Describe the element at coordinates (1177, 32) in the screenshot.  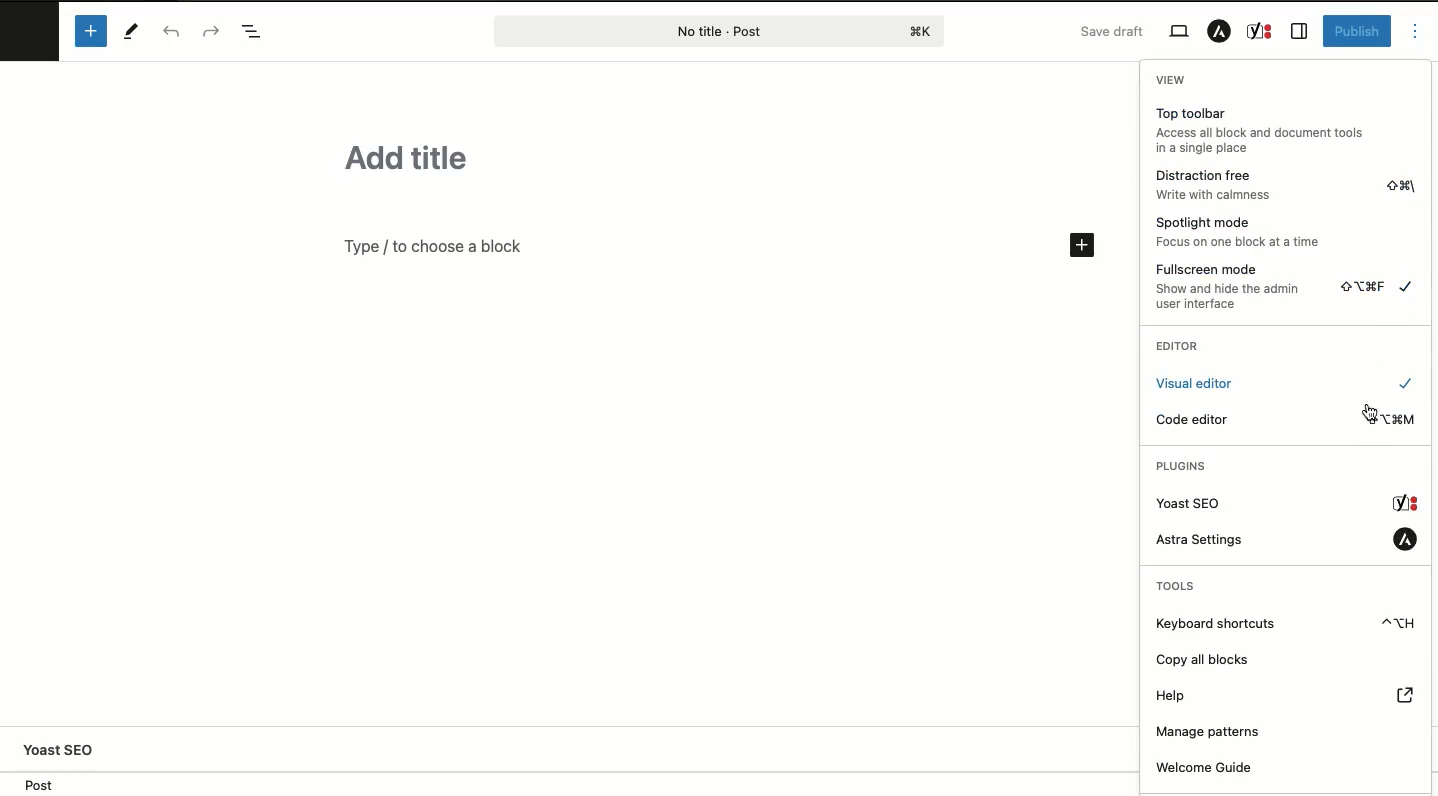
I see `View` at that location.